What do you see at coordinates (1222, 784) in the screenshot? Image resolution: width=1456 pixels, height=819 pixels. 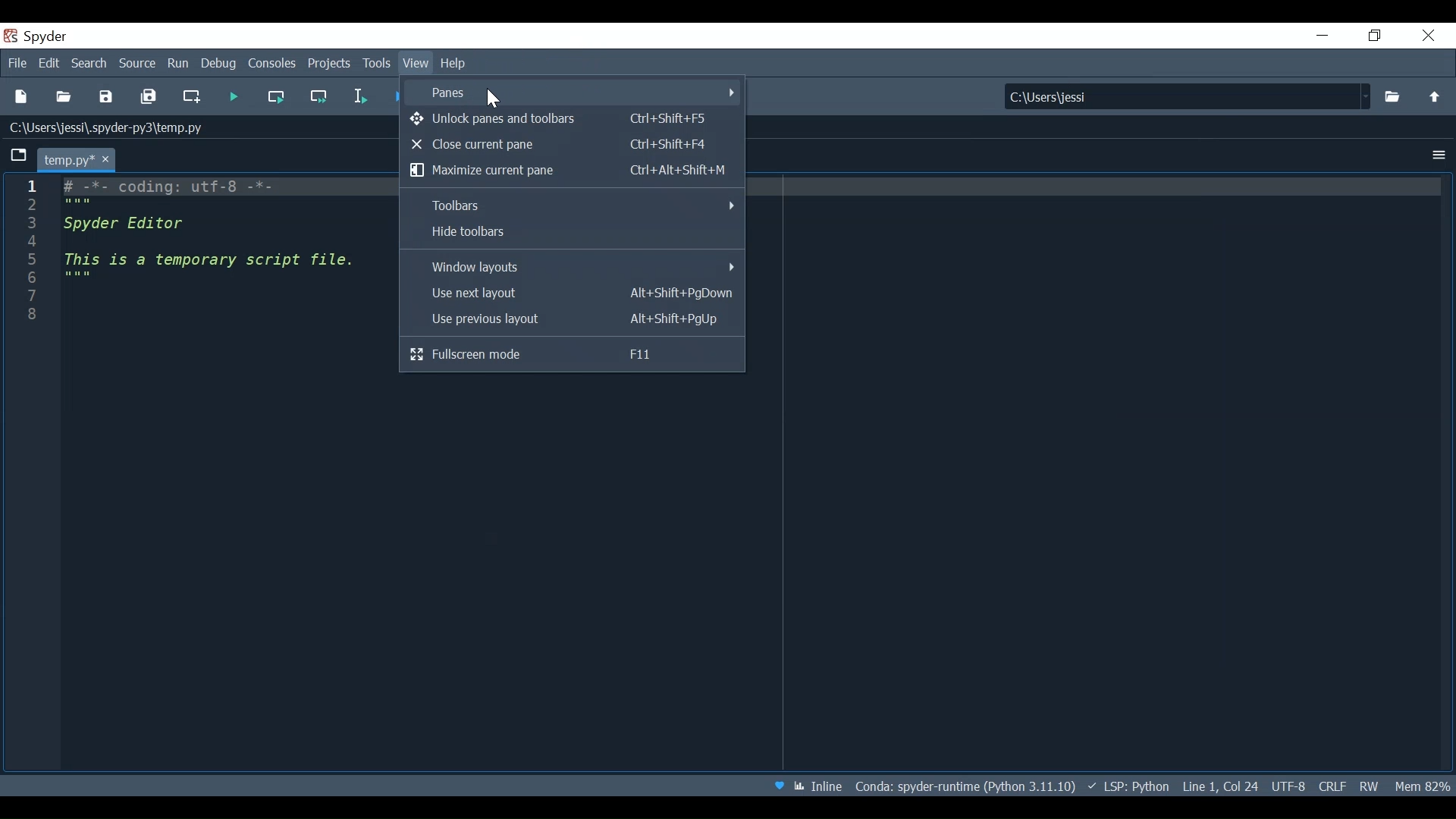 I see `Cursor Position` at bounding box center [1222, 784].